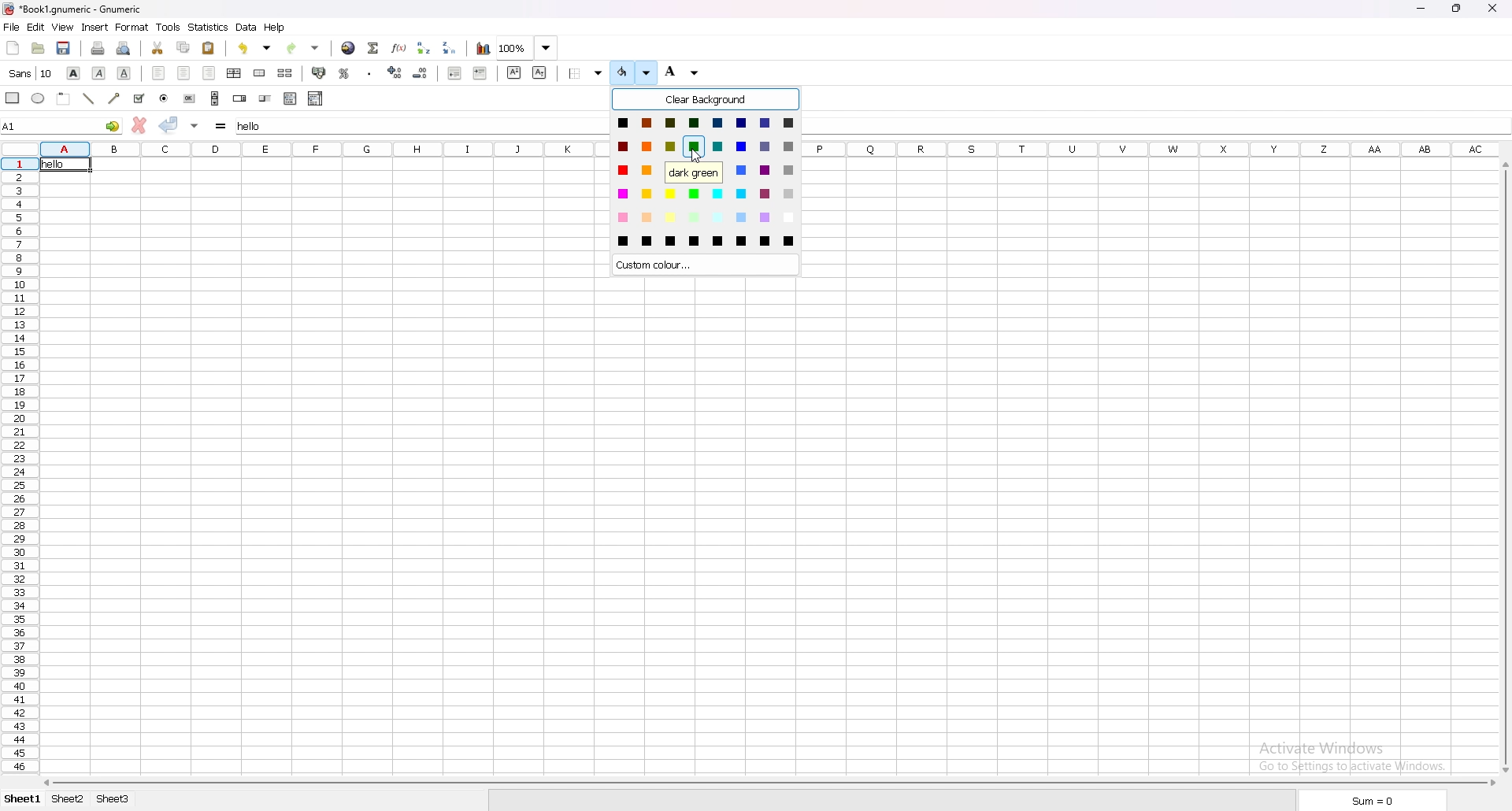  I want to click on border, so click(587, 72).